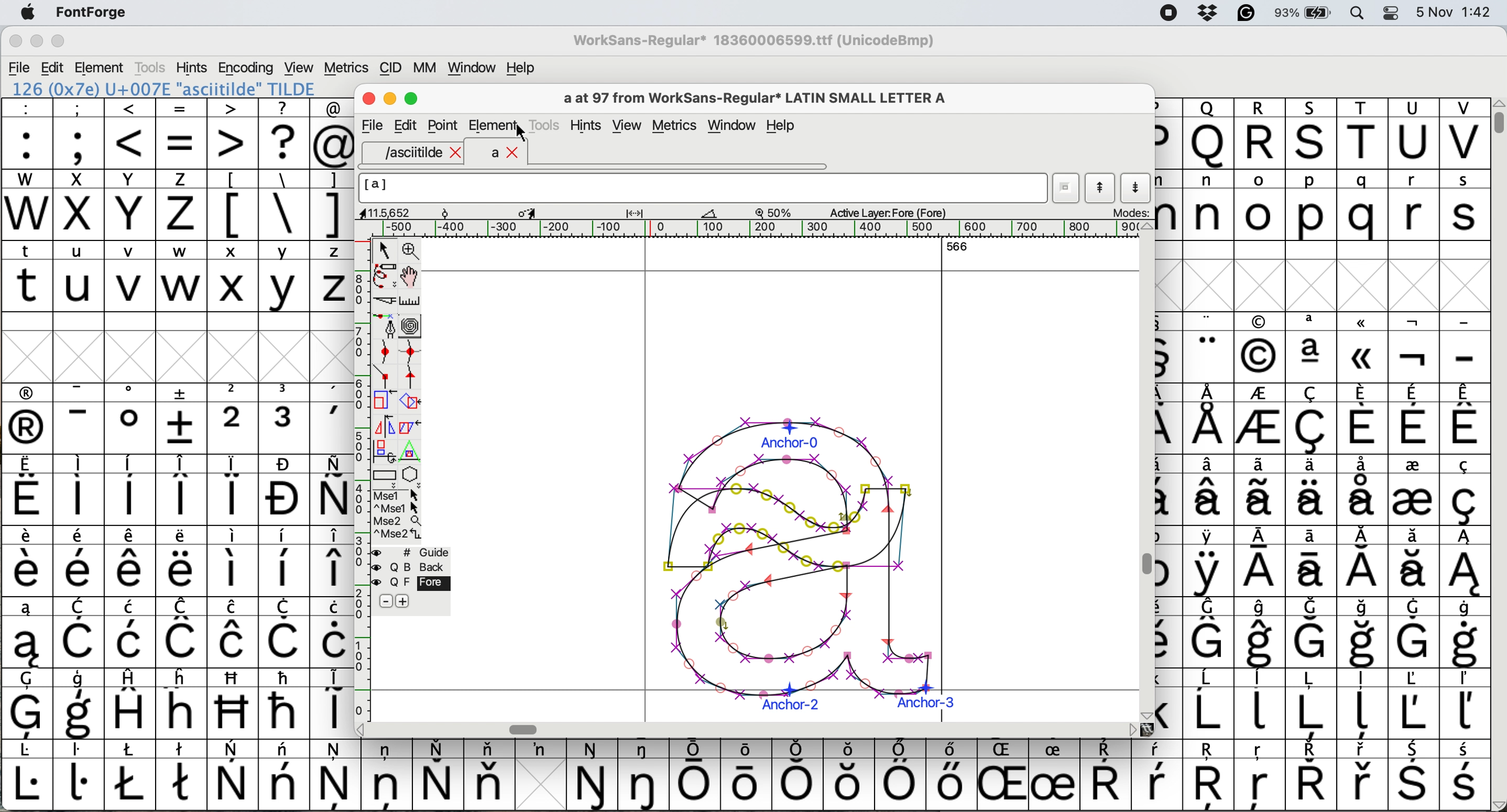  I want to click on modes, so click(1130, 212).